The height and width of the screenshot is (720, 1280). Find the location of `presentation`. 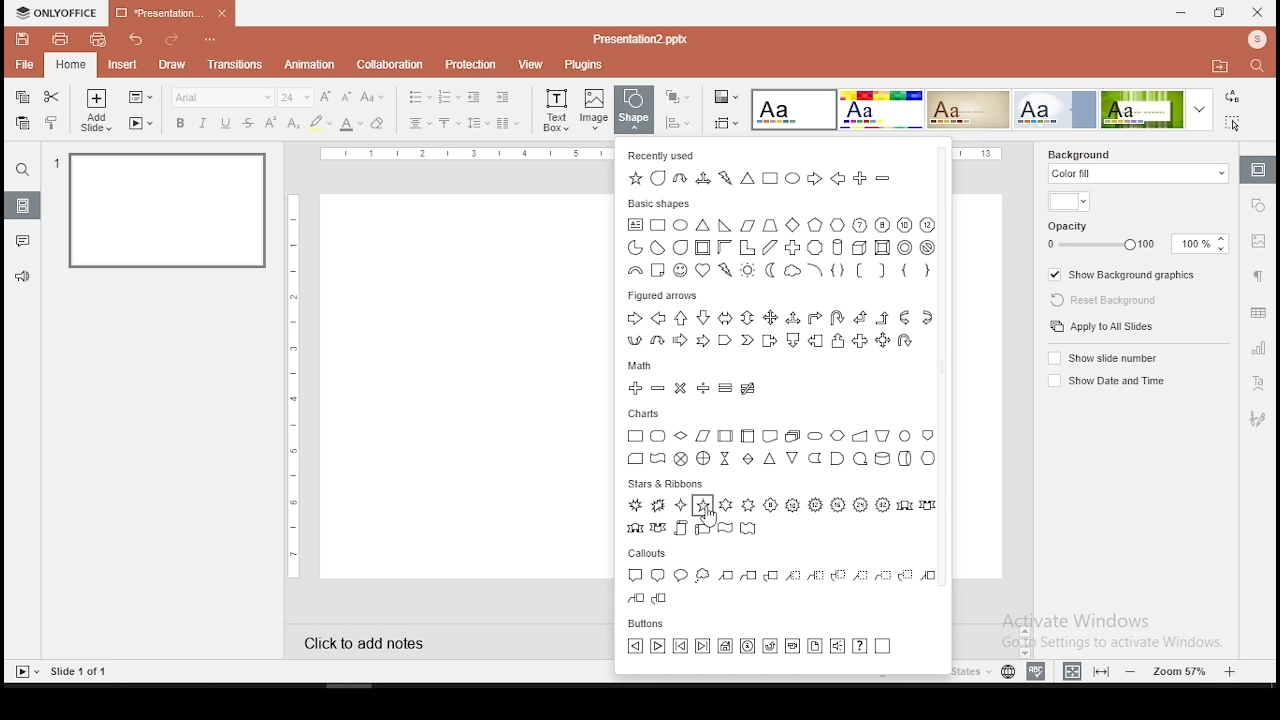

presentation is located at coordinates (172, 12).